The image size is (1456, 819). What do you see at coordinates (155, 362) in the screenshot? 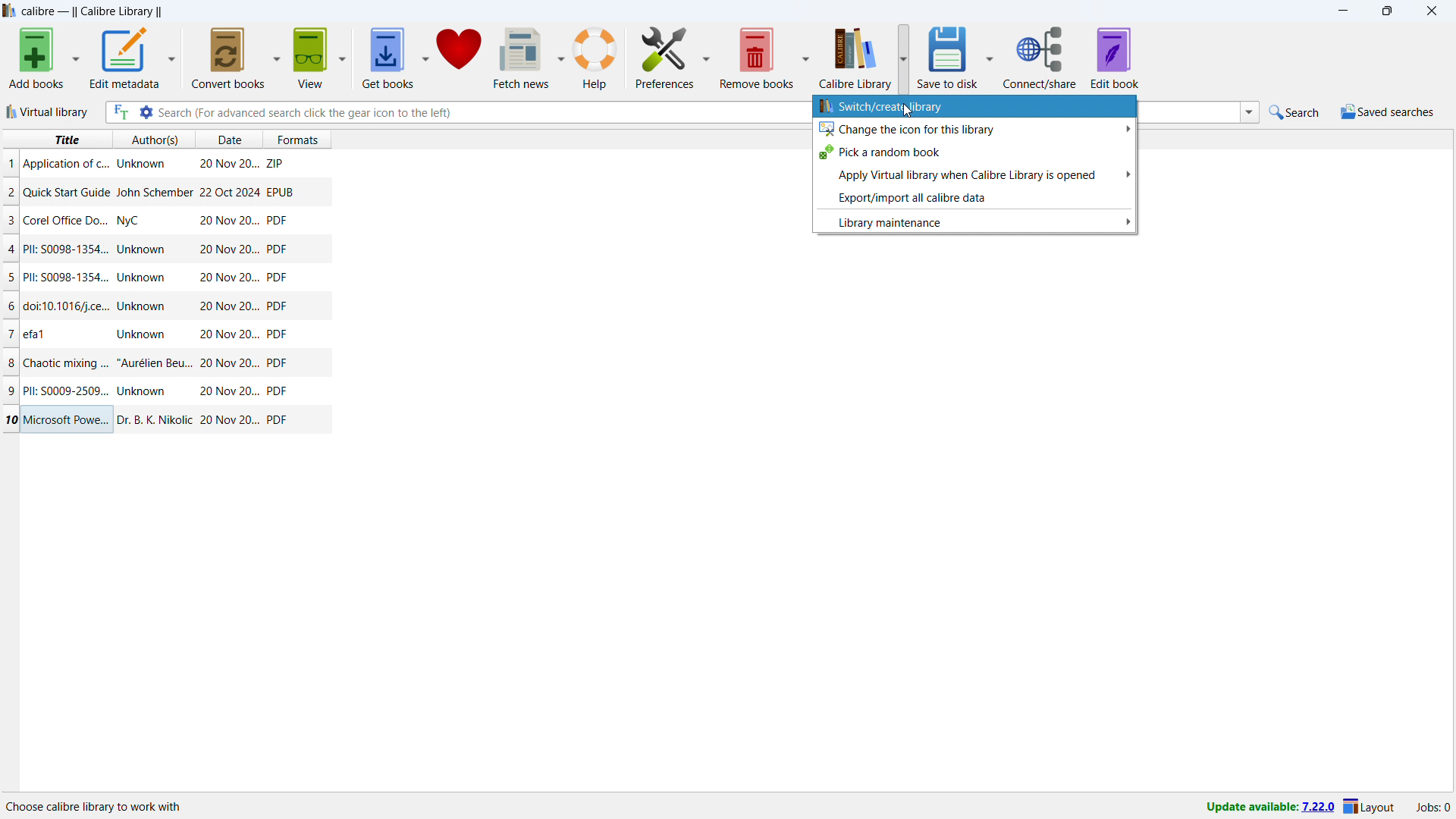
I see `Author` at bounding box center [155, 362].